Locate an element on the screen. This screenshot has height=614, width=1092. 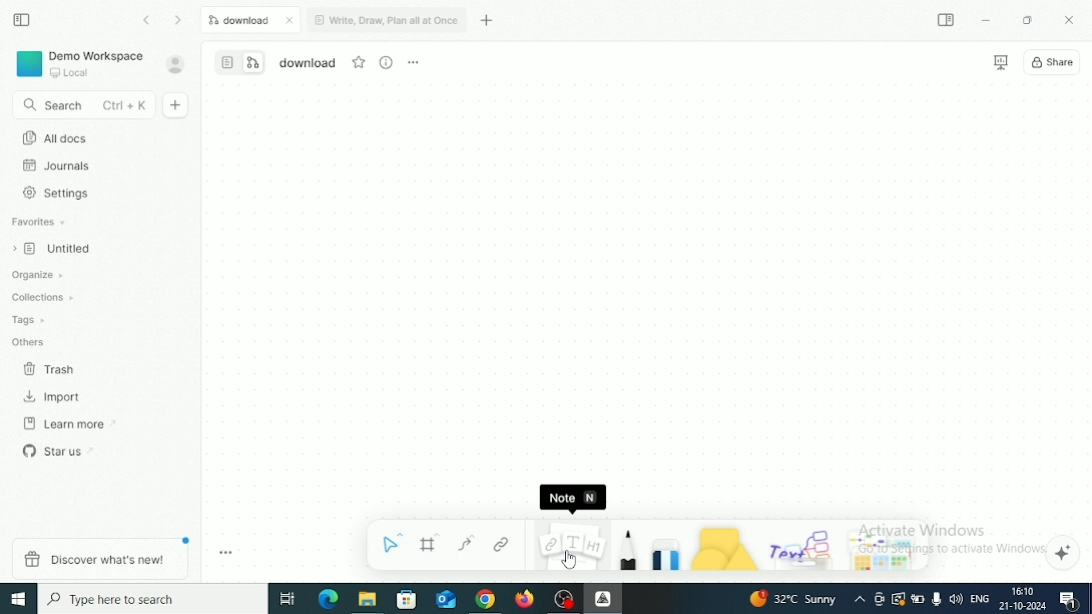
Untitled is located at coordinates (53, 249).